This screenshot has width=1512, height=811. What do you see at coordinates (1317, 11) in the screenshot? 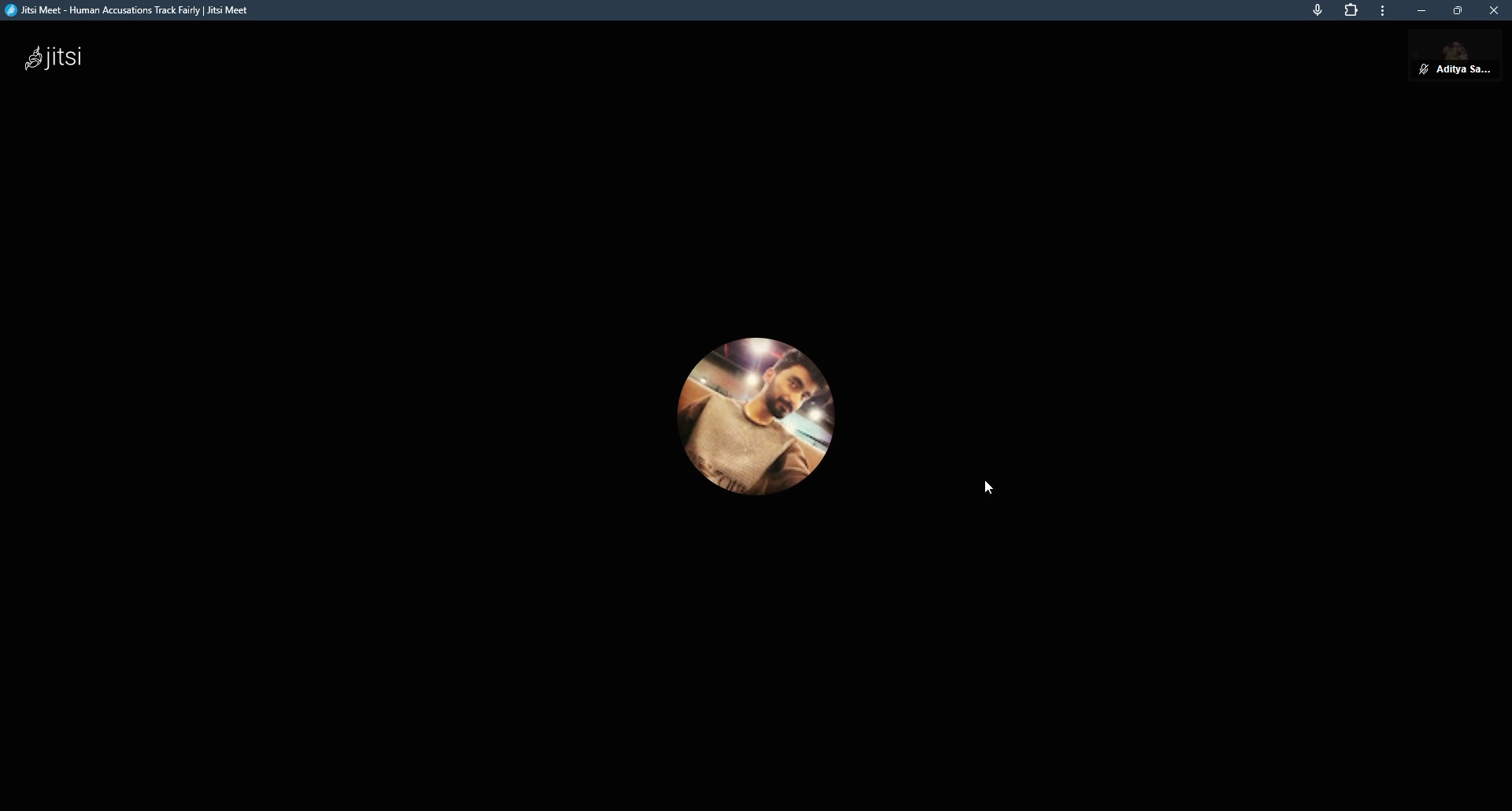
I see `mic` at bounding box center [1317, 11].